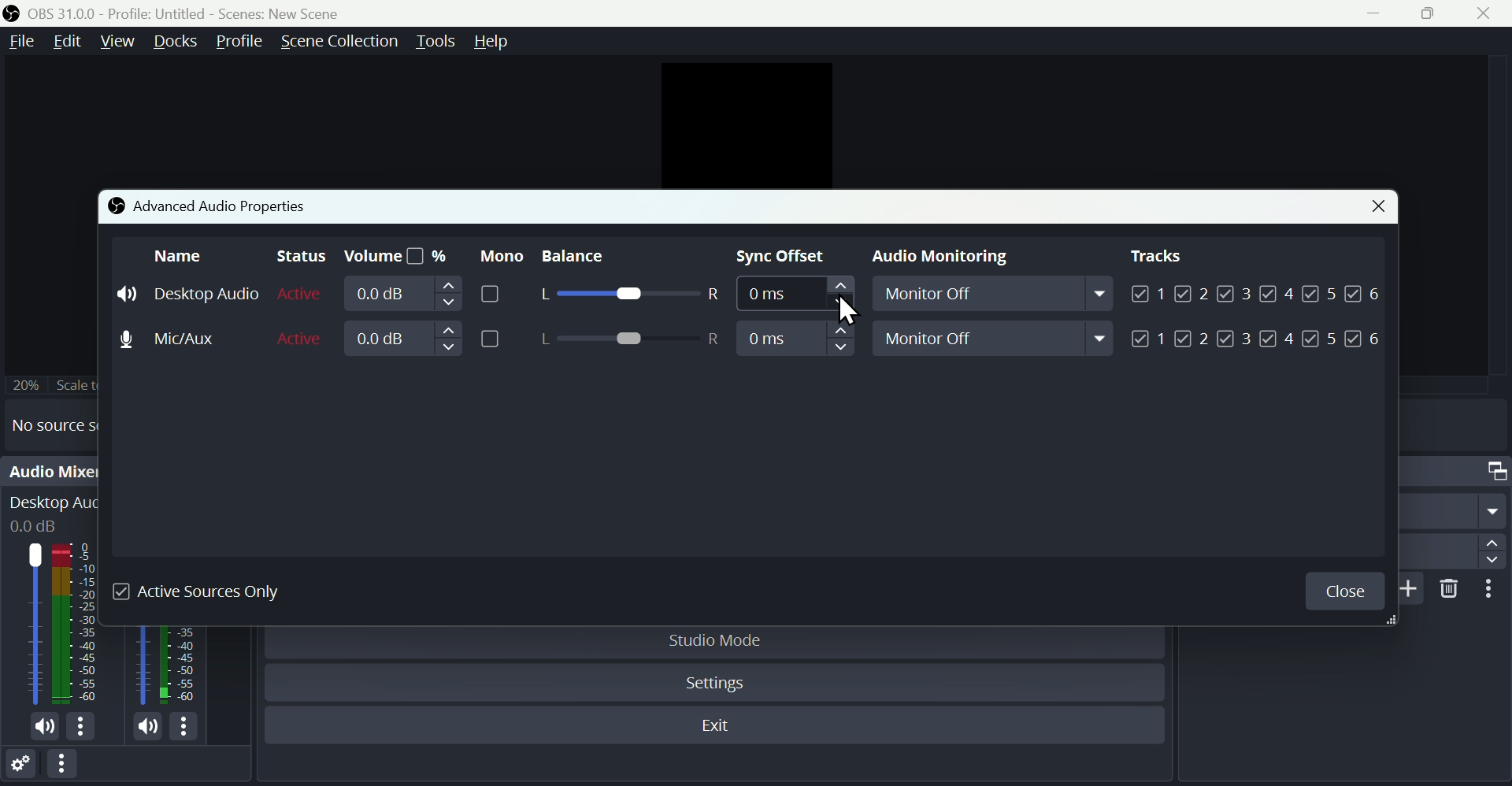 The image size is (1512, 786). What do you see at coordinates (784, 258) in the screenshot?
I see `Sync offset` at bounding box center [784, 258].